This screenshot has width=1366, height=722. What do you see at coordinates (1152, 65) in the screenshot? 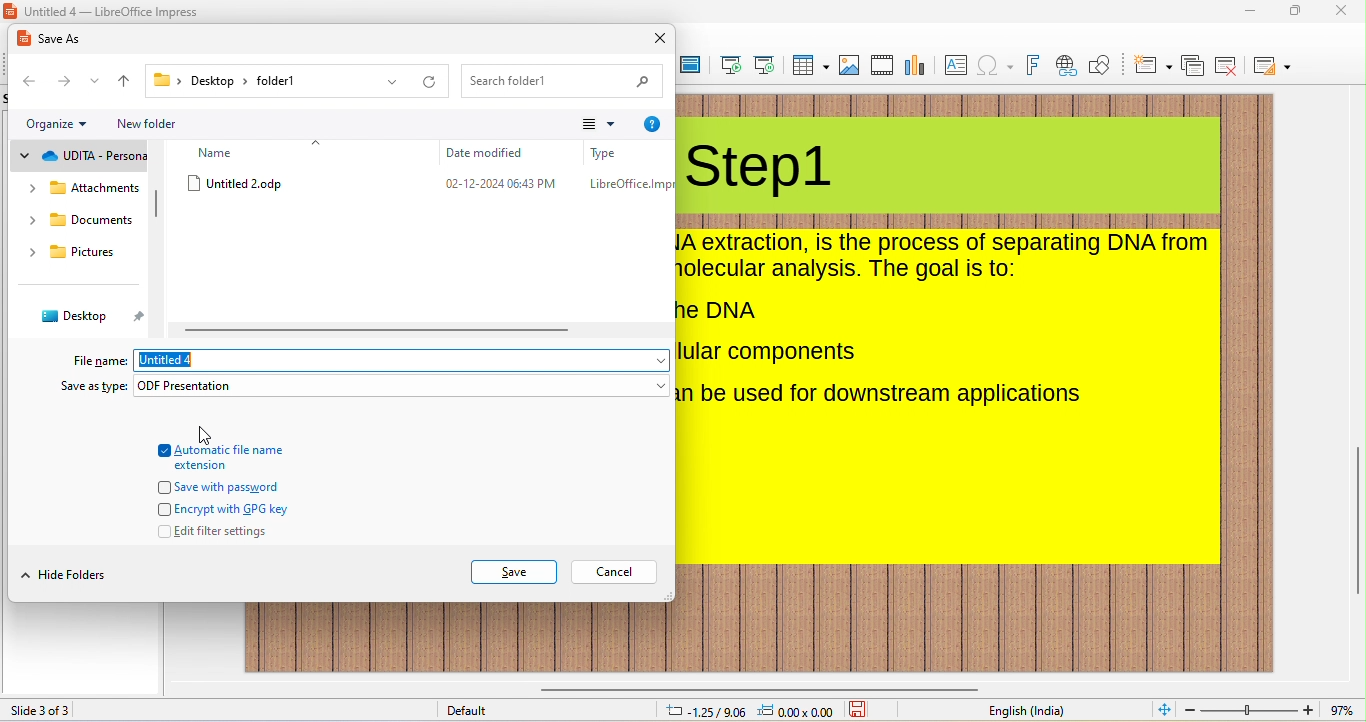
I see `new slide` at bounding box center [1152, 65].